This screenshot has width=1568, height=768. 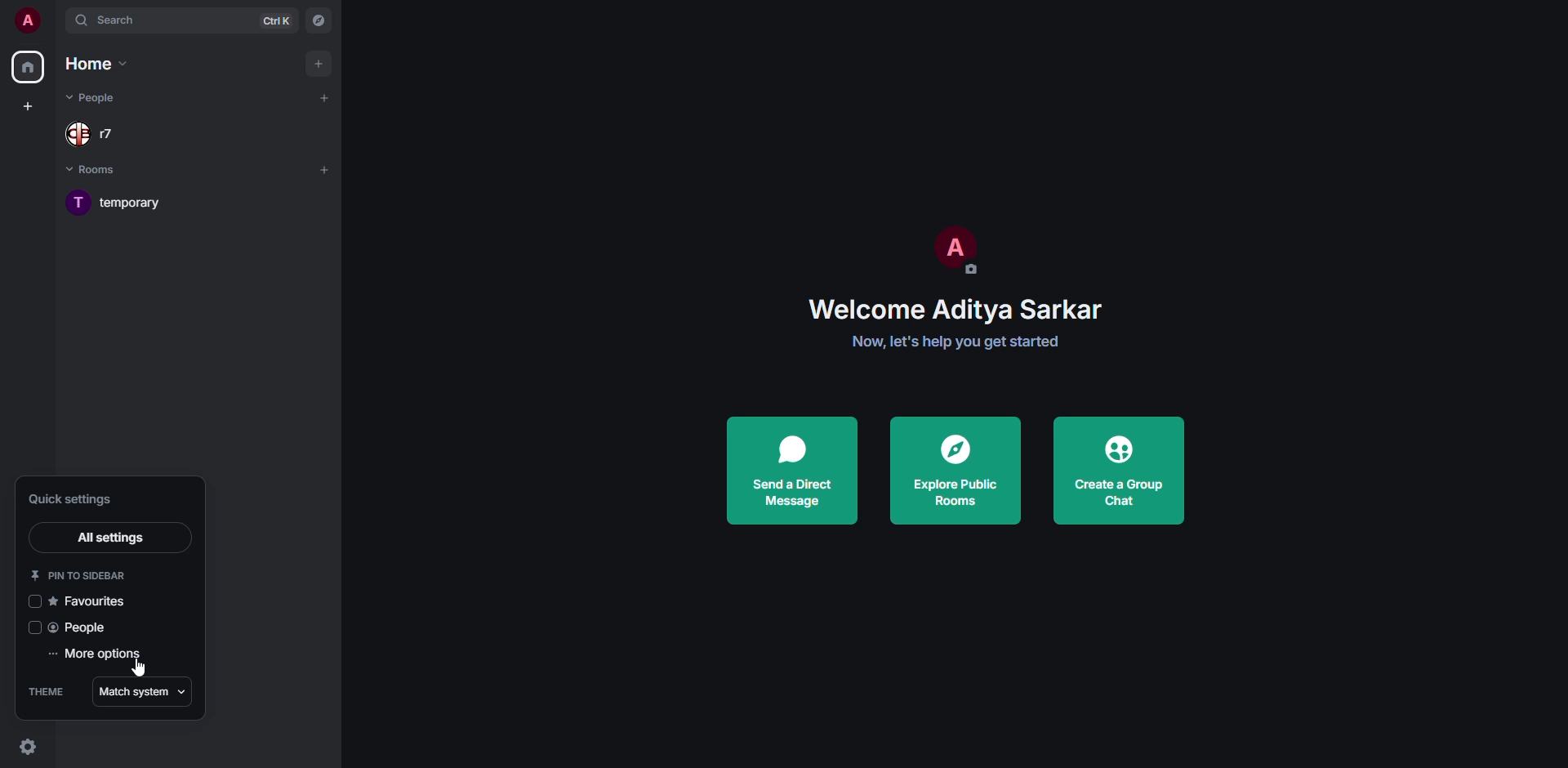 I want to click on room, so click(x=129, y=202).